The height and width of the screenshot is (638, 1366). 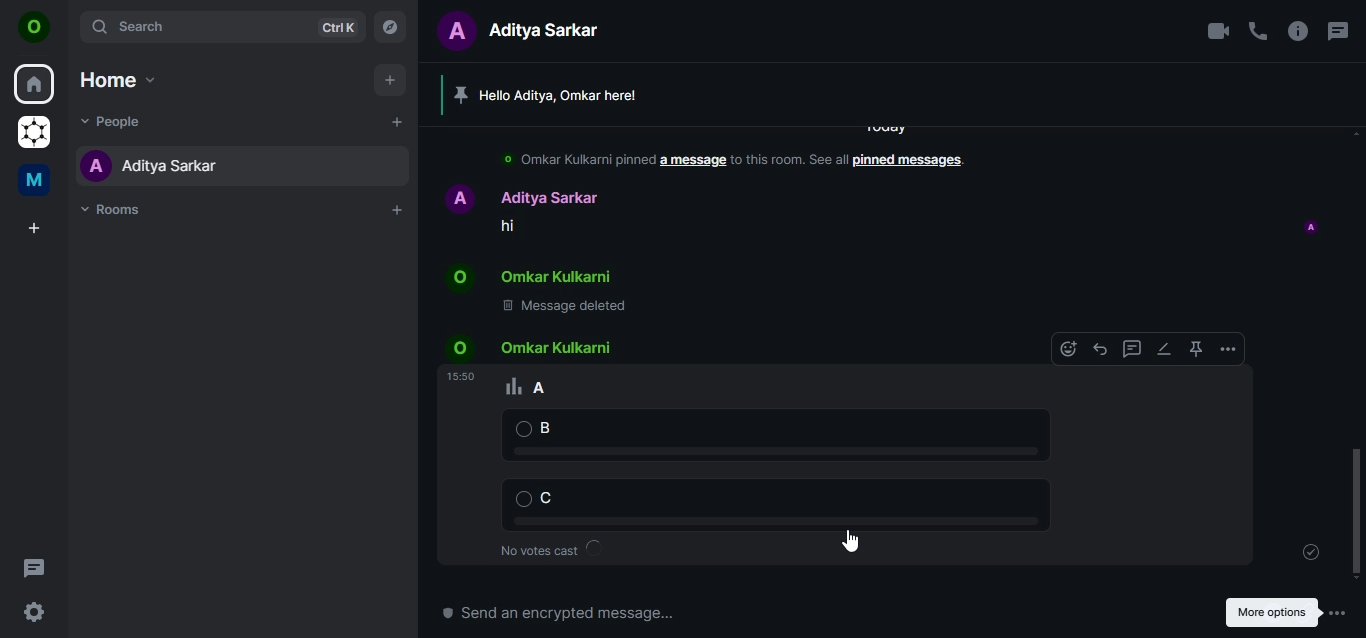 What do you see at coordinates (536, 251) in the screenshot?
I see `Name hi Name © Message deleted` at bounding box center [536, 251].